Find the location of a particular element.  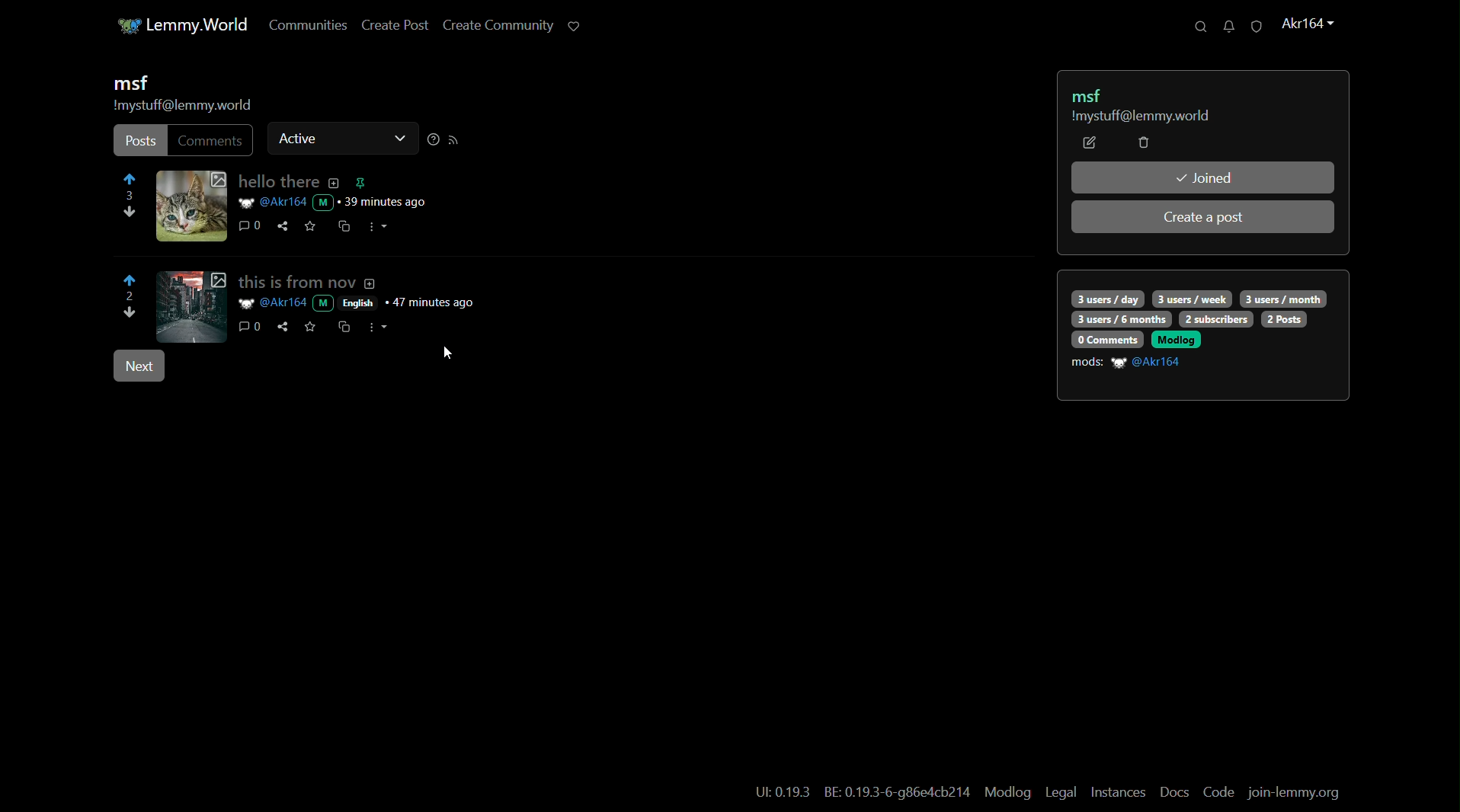

more is located at coordinates (383, 327).